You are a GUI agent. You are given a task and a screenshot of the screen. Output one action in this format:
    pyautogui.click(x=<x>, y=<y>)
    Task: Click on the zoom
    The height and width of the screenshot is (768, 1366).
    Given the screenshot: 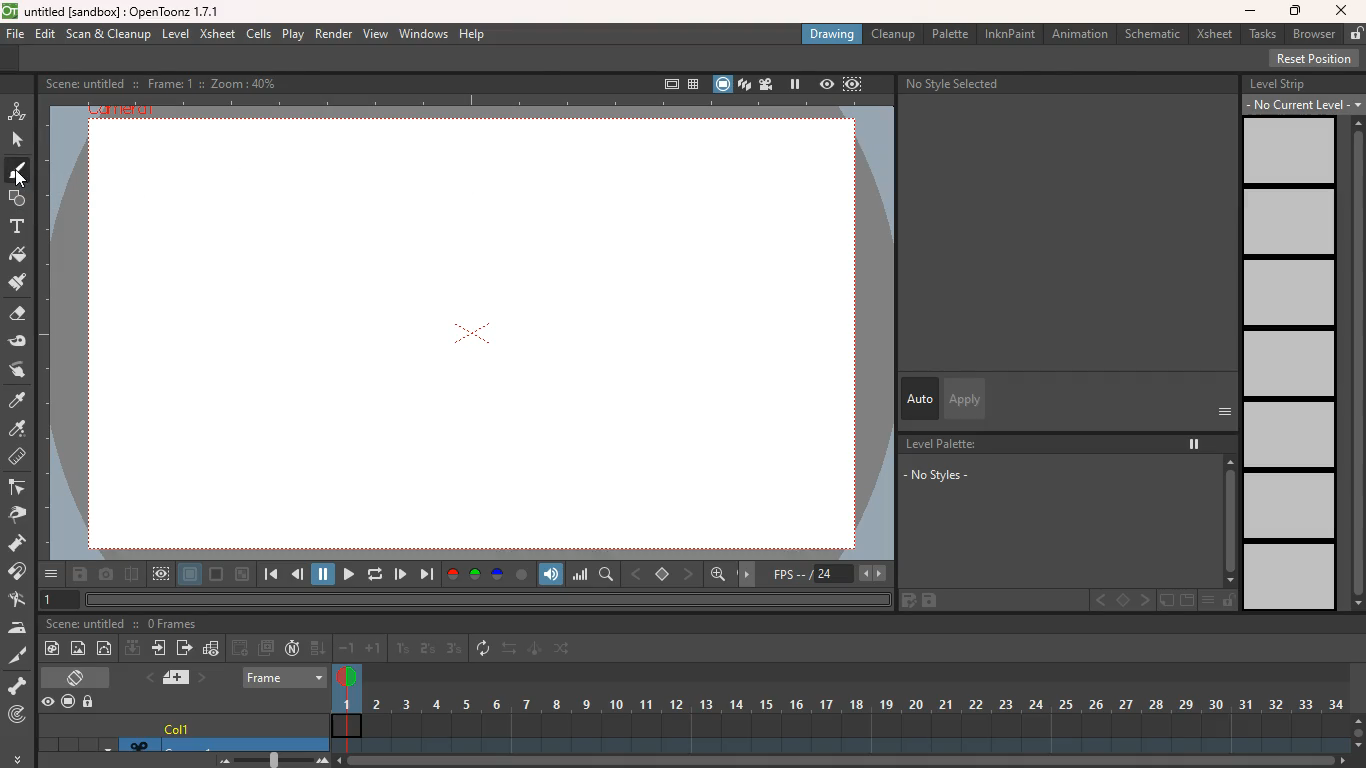 What is the action you would take?
    pyautogui.click(x=267, y=760)
    